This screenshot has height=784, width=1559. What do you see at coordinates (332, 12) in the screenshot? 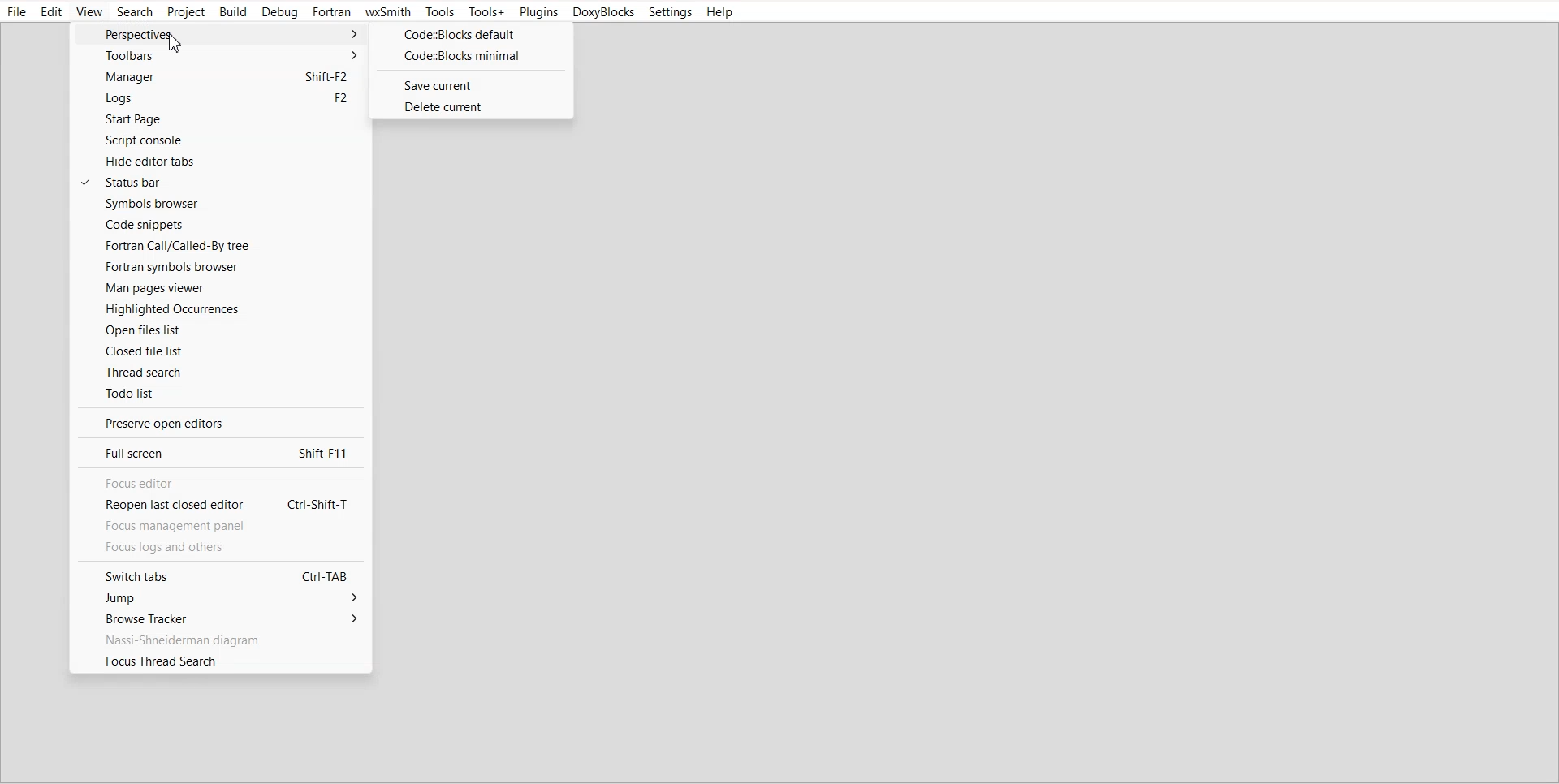
I see `Fortran` at bounding box center [332, 12].